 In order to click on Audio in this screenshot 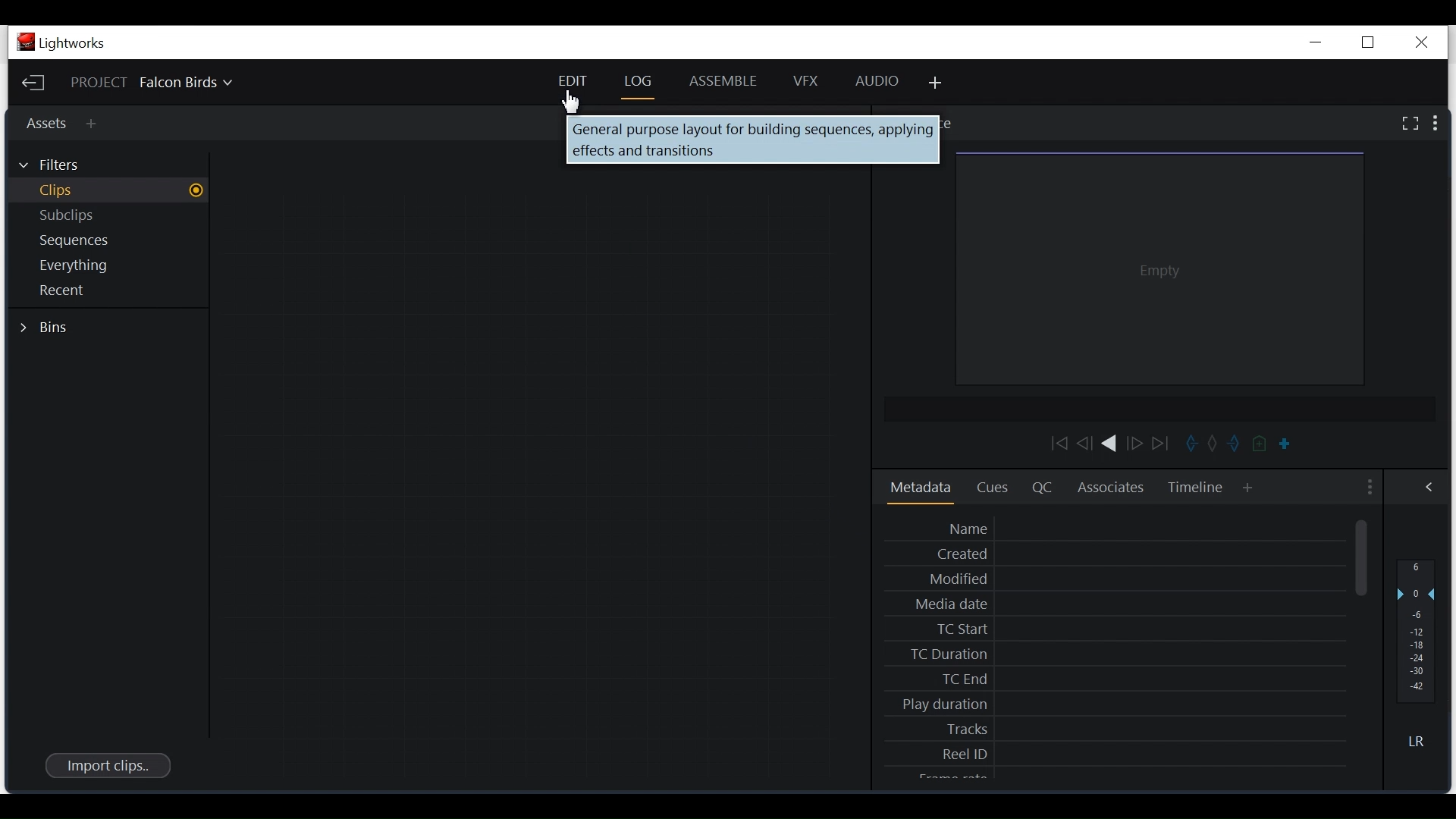, I will do `click(879, 80)`.